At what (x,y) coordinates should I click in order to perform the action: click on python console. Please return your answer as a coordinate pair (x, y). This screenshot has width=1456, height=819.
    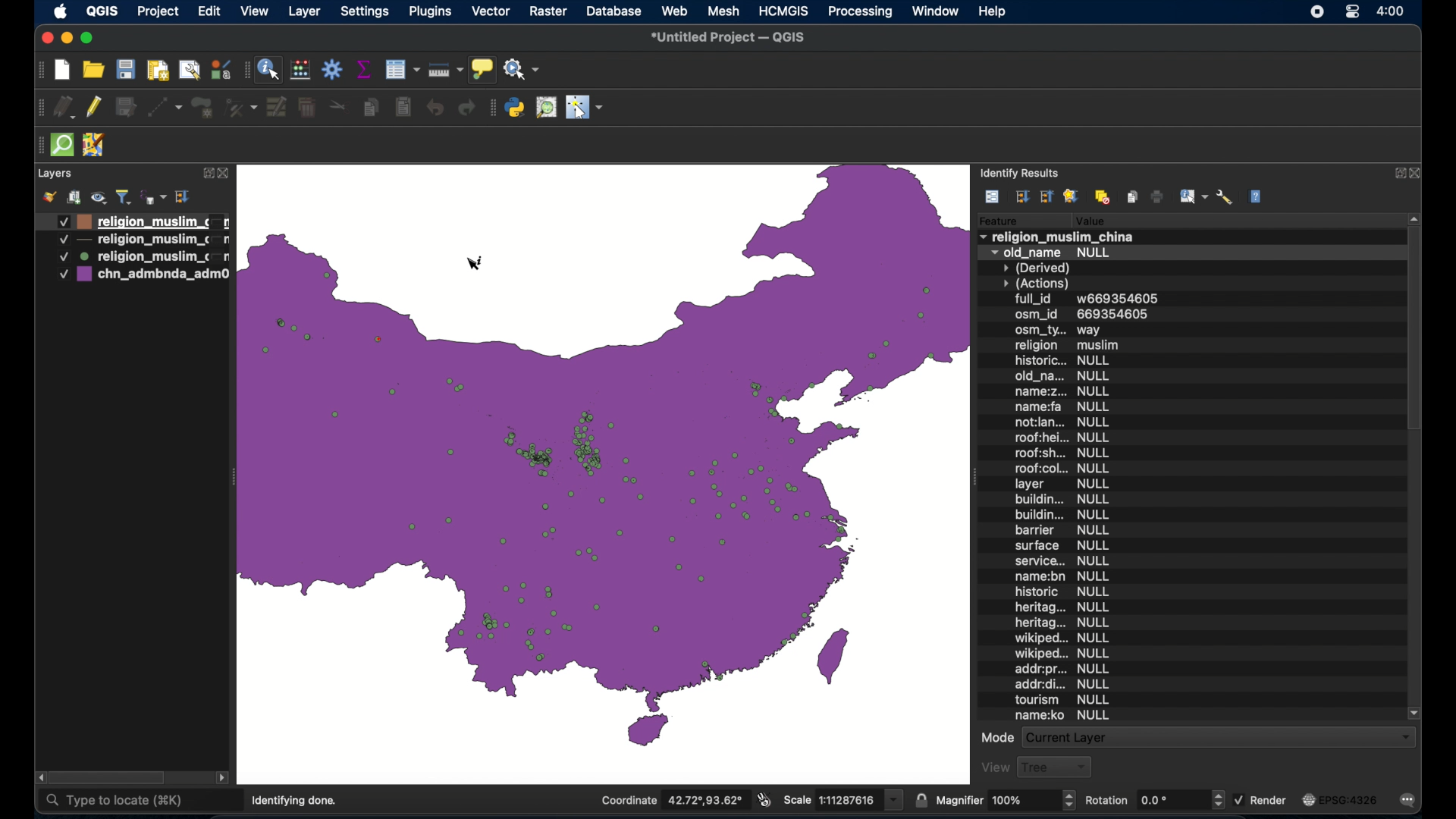
    Looking at the image, I should click on (516, 108).